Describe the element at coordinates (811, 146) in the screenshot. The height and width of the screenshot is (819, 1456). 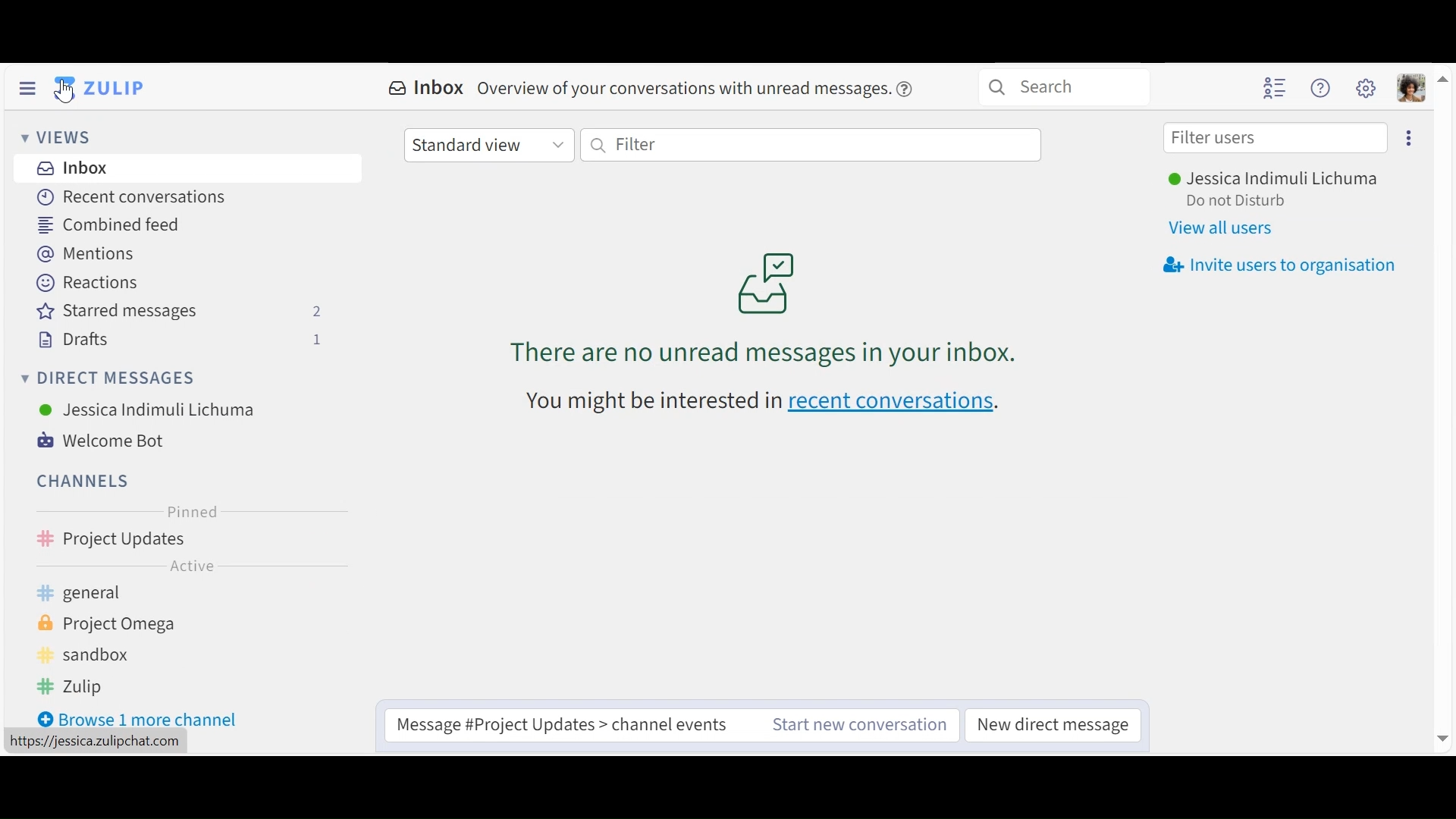
I see `Filter by text` at that location.